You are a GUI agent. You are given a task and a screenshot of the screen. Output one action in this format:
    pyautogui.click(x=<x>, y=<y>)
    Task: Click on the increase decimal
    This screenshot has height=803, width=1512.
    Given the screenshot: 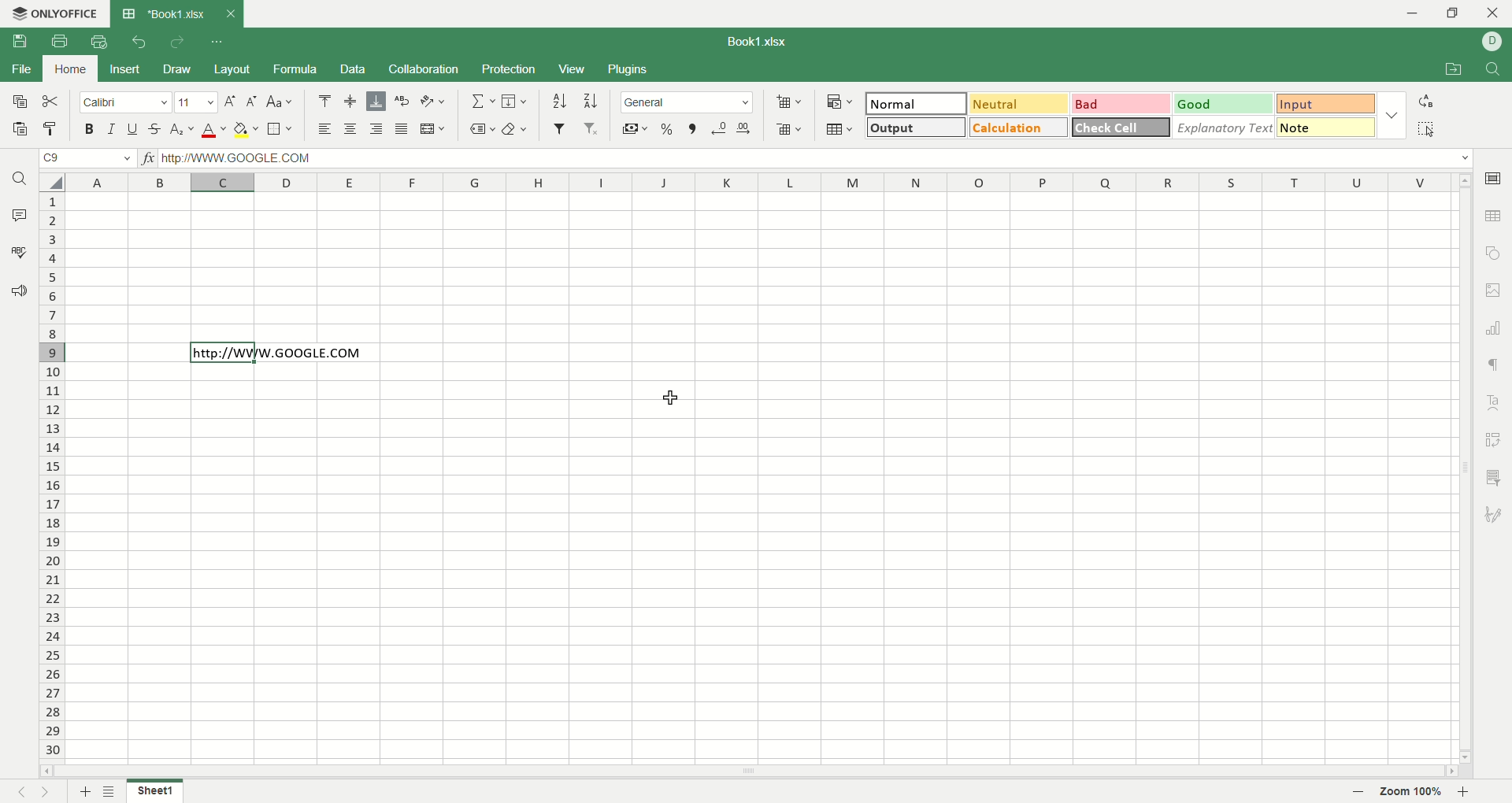 What is the action you would take?
    pyautogui.click(x=741, y=129)
    